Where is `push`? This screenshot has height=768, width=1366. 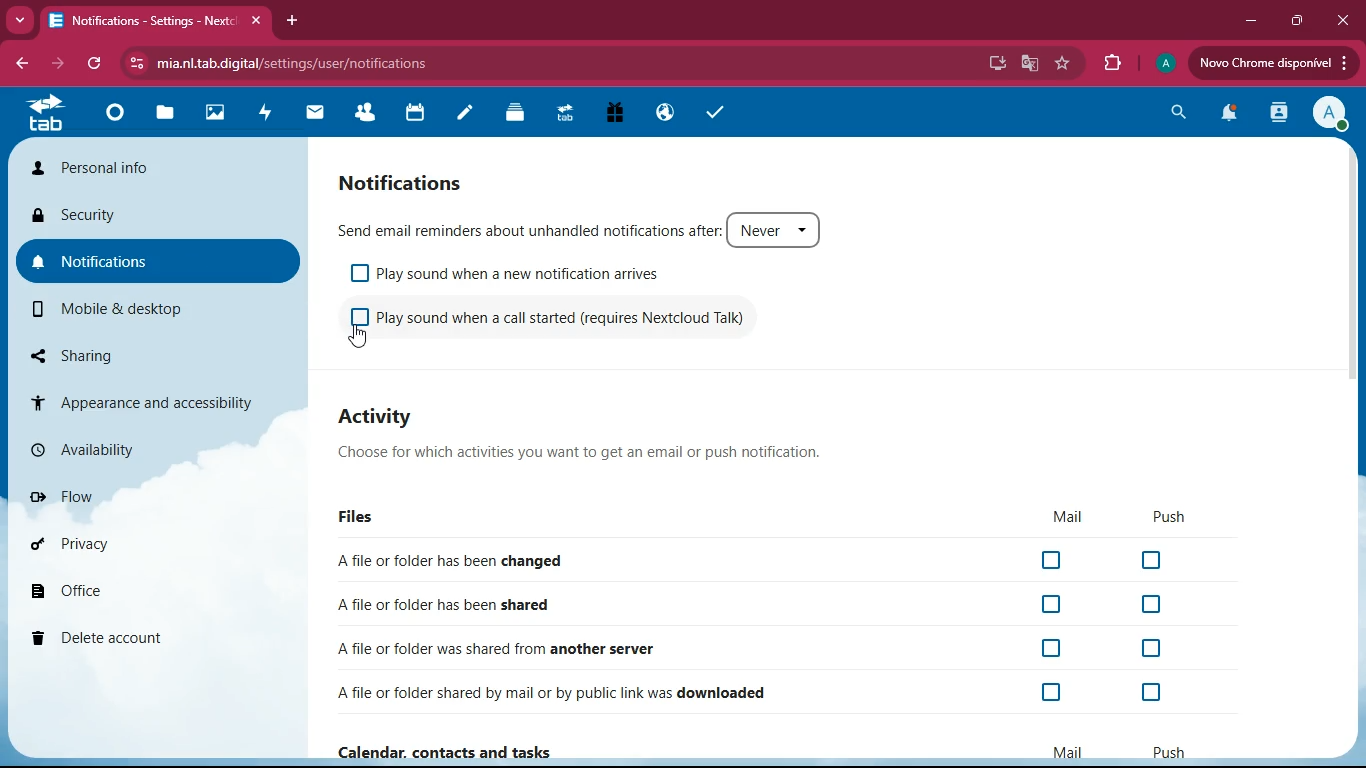 push is located at coordinates (1170, 750).